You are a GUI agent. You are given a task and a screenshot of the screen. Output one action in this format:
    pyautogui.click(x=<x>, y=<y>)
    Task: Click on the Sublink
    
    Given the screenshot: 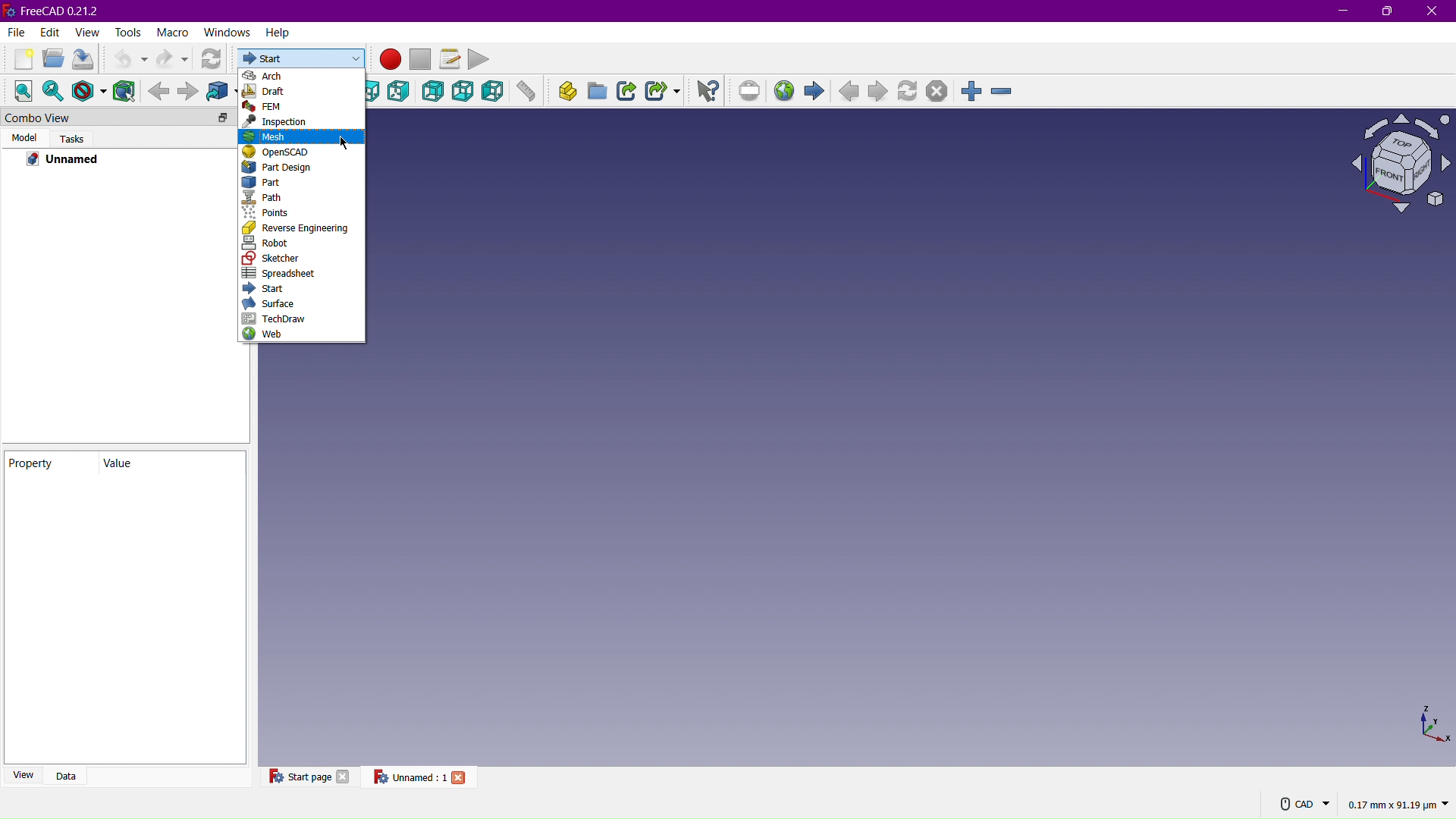 What is the action you would take?
    pyautogui.click(x=663, y=93)
    